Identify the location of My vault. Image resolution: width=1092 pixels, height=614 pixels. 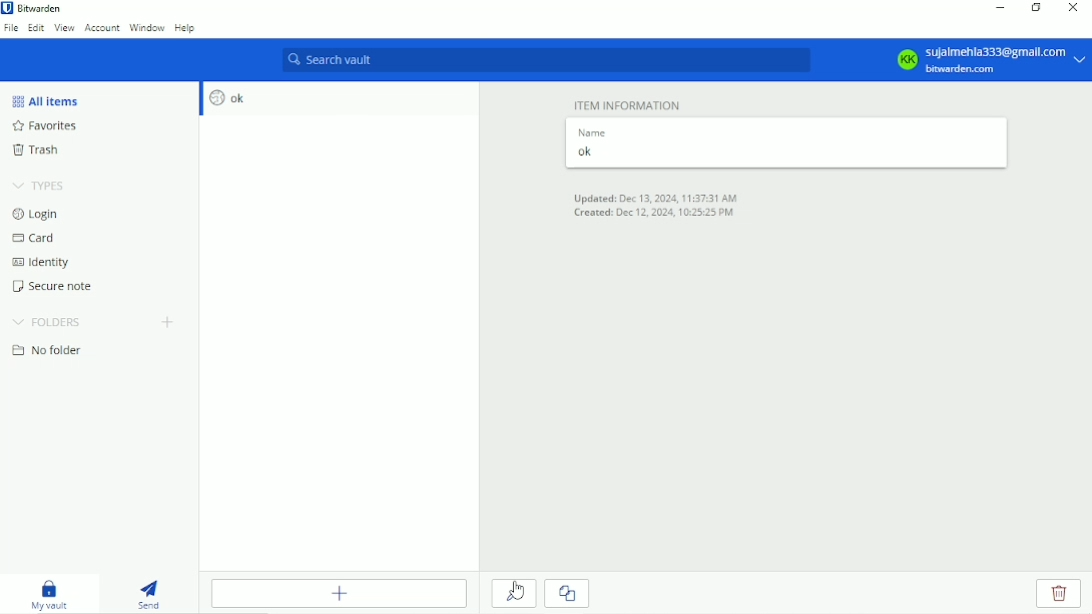
(53, 594).